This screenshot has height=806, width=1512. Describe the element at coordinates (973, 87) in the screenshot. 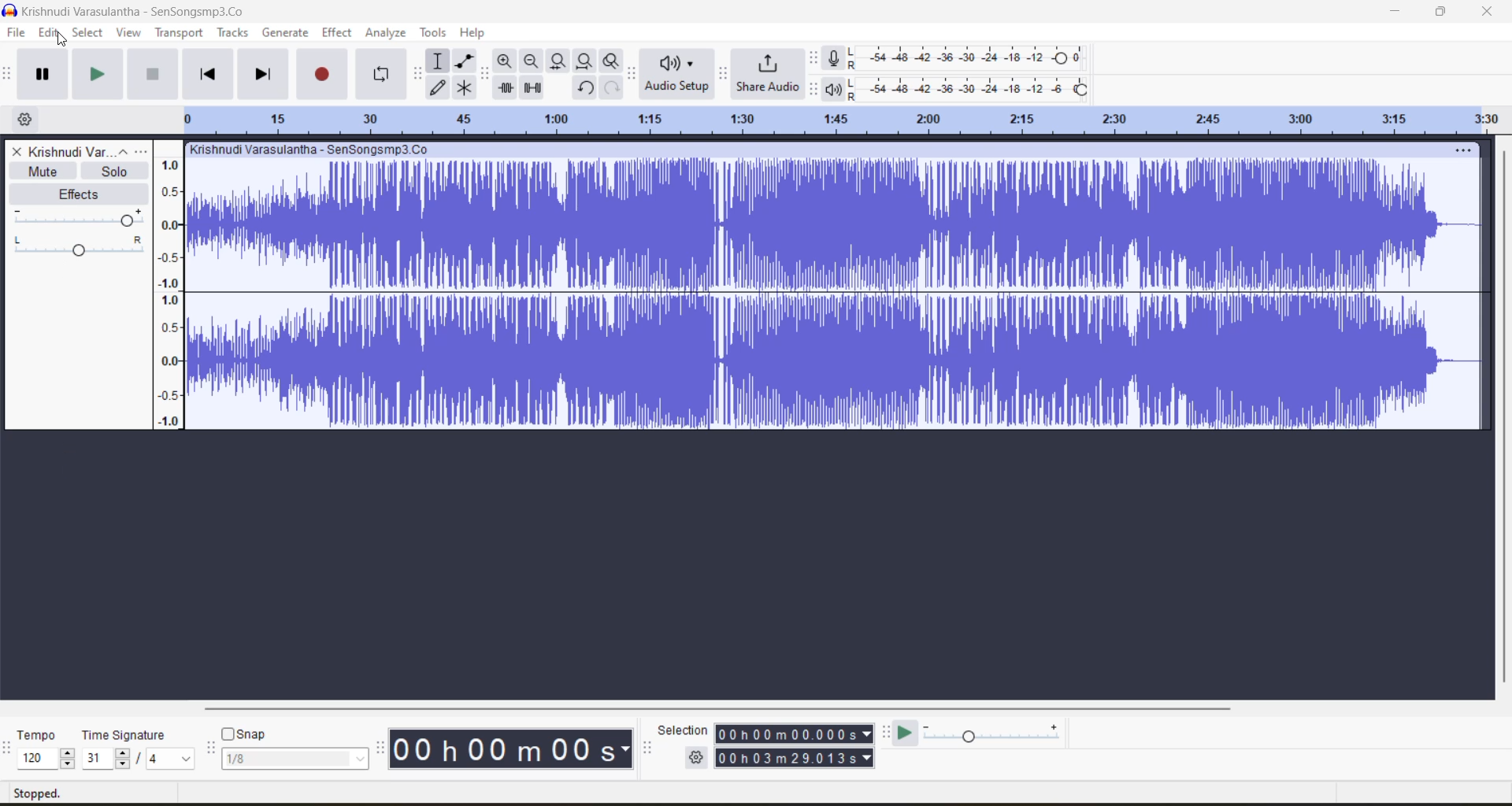

I see `playback level` at that location.